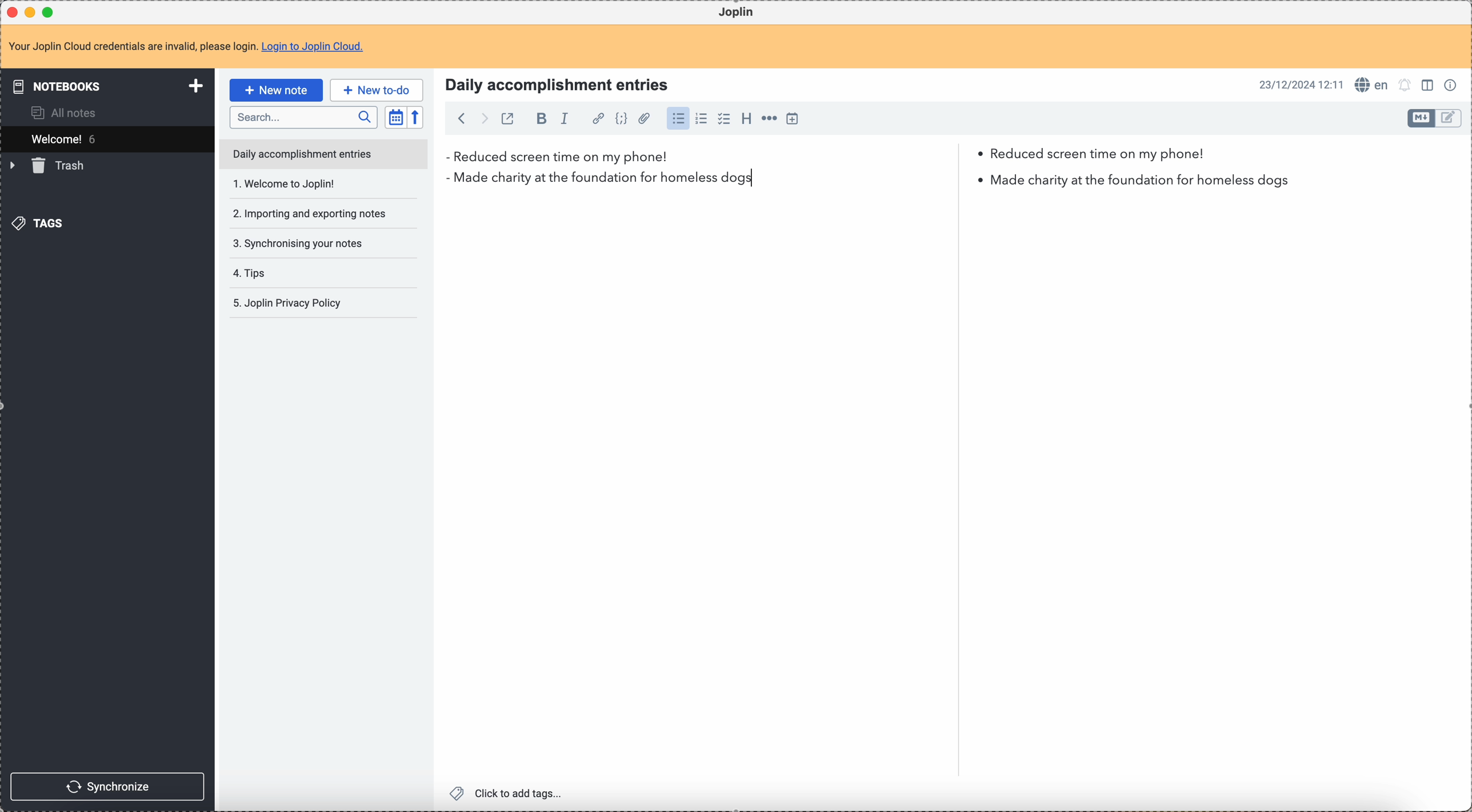  Describe the element at coordinates (458, 118) in the screenshot. I see `back` at that location.